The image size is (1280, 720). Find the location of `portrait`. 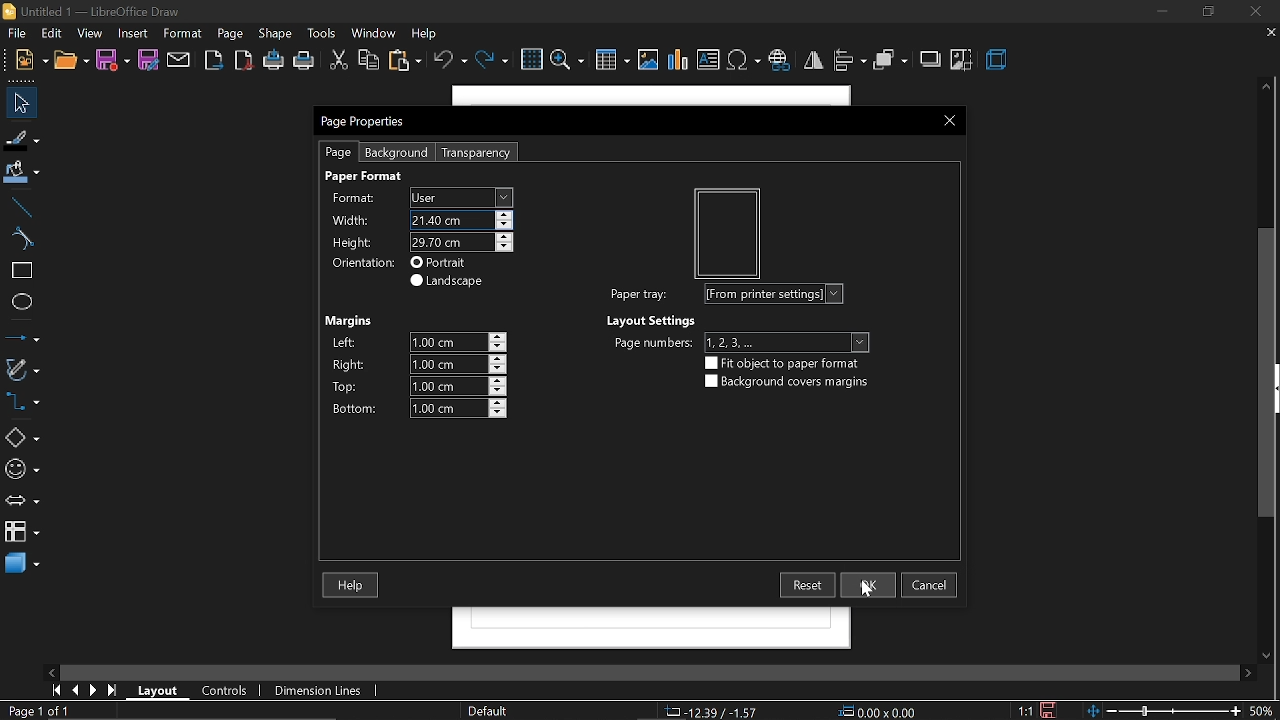

portrait is located at coordinates (438, 262).